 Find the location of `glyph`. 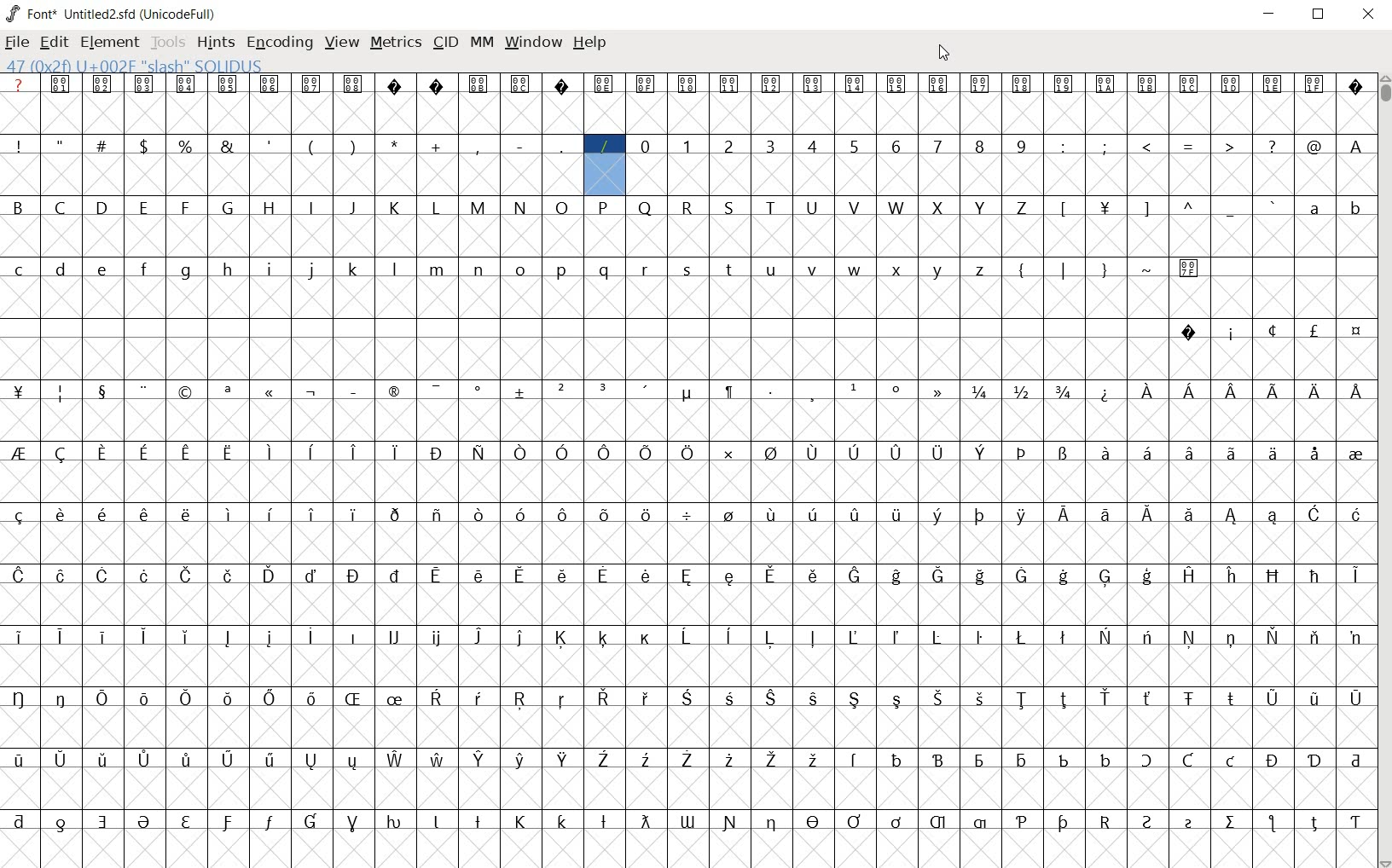

glyph is located at coordinates (687, 637).